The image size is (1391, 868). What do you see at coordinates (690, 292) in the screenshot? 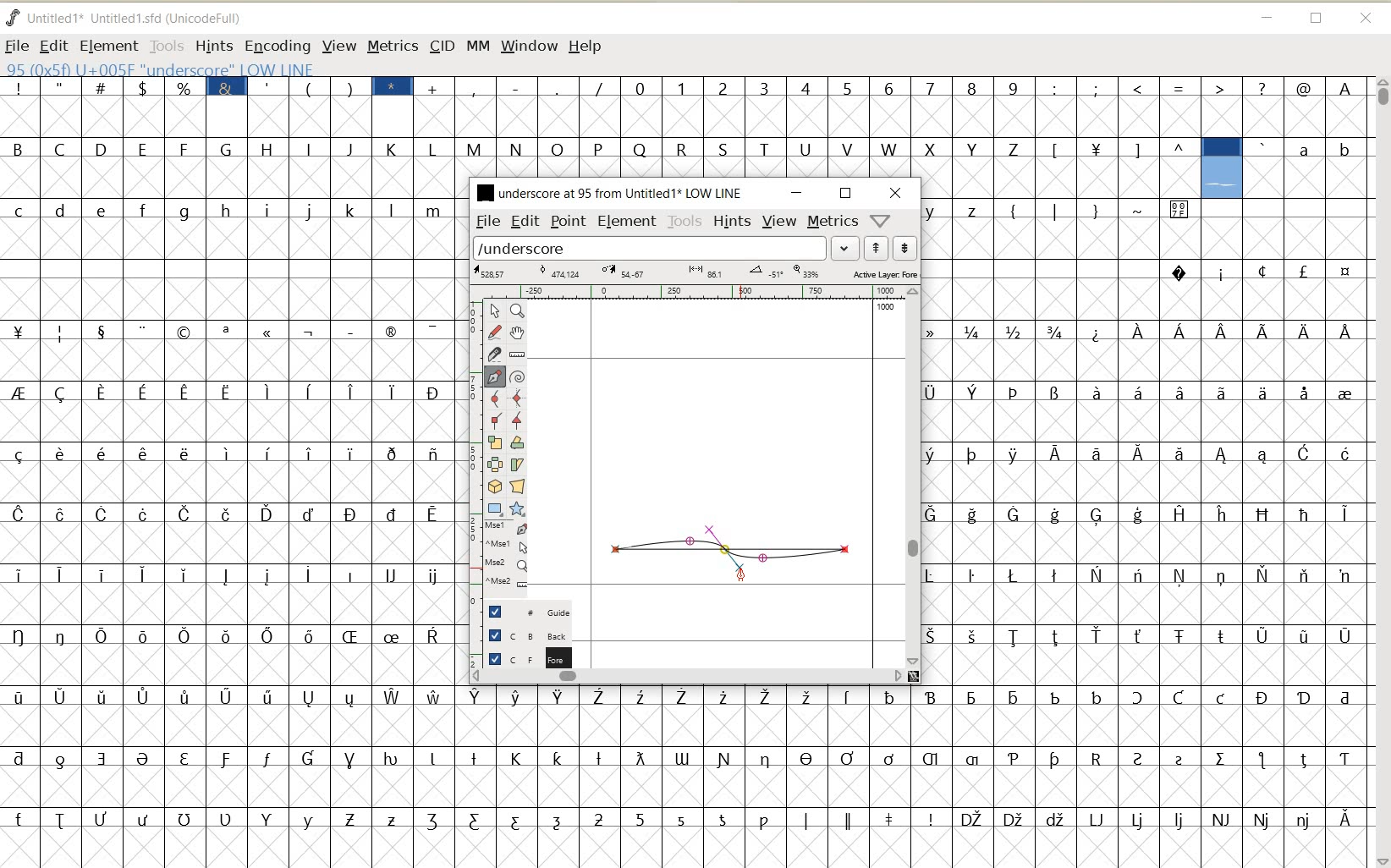
I see `RULER` at bounding box center [690, 292].